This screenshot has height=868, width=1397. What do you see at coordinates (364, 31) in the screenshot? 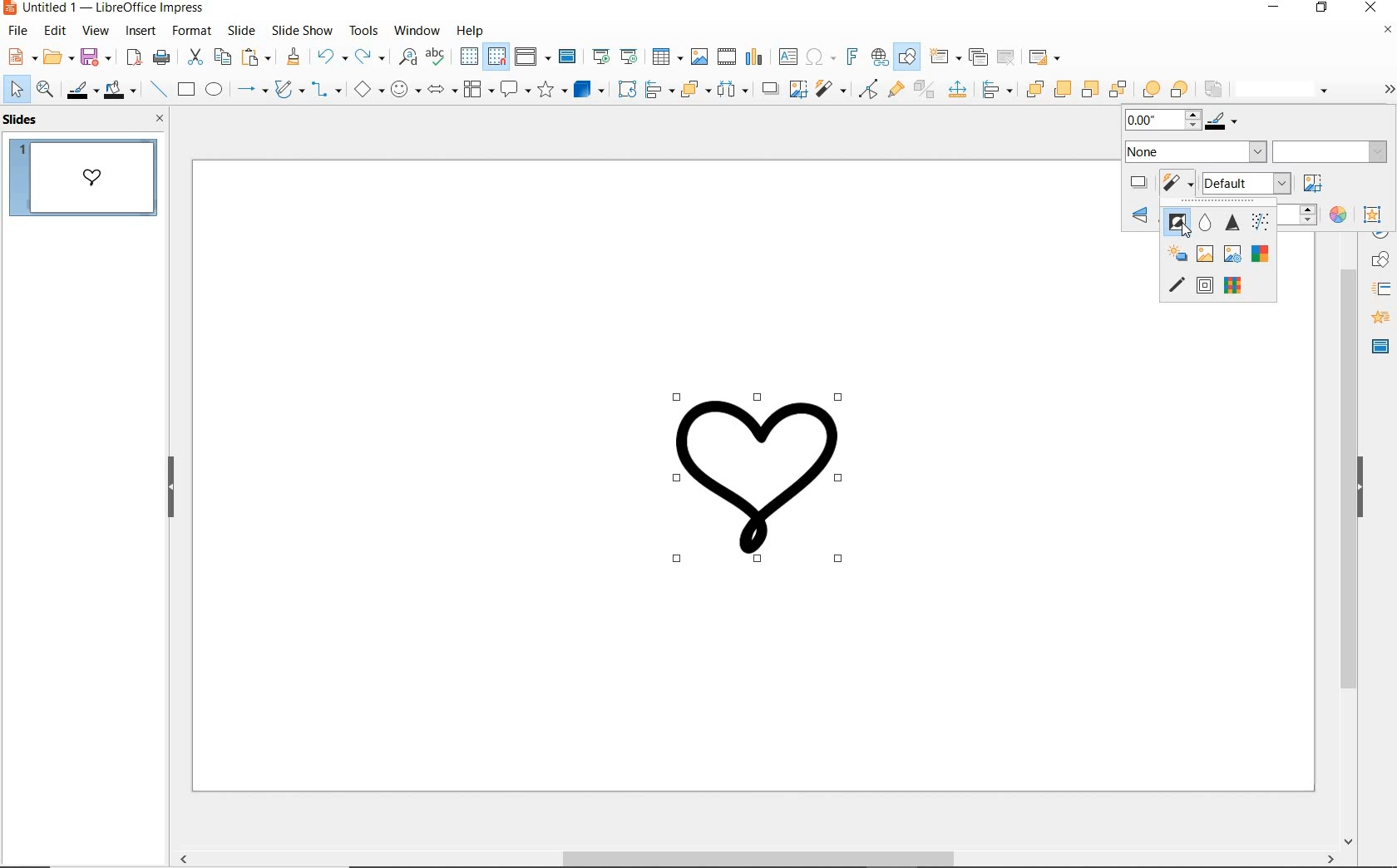
I see `tools` at bounding box center [364, 31].